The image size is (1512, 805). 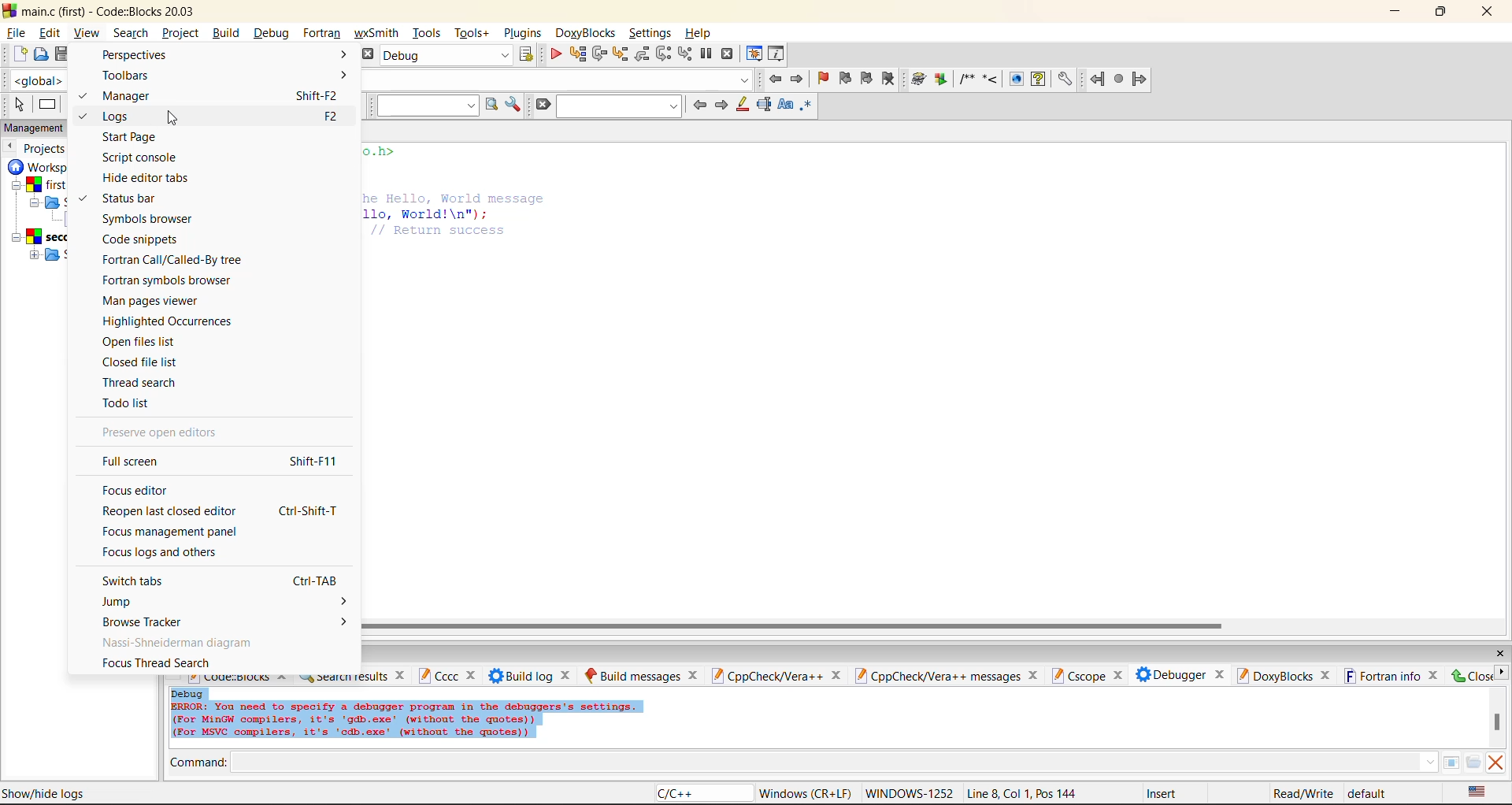 I want to click on maximize, so click(x=1444, y=13).